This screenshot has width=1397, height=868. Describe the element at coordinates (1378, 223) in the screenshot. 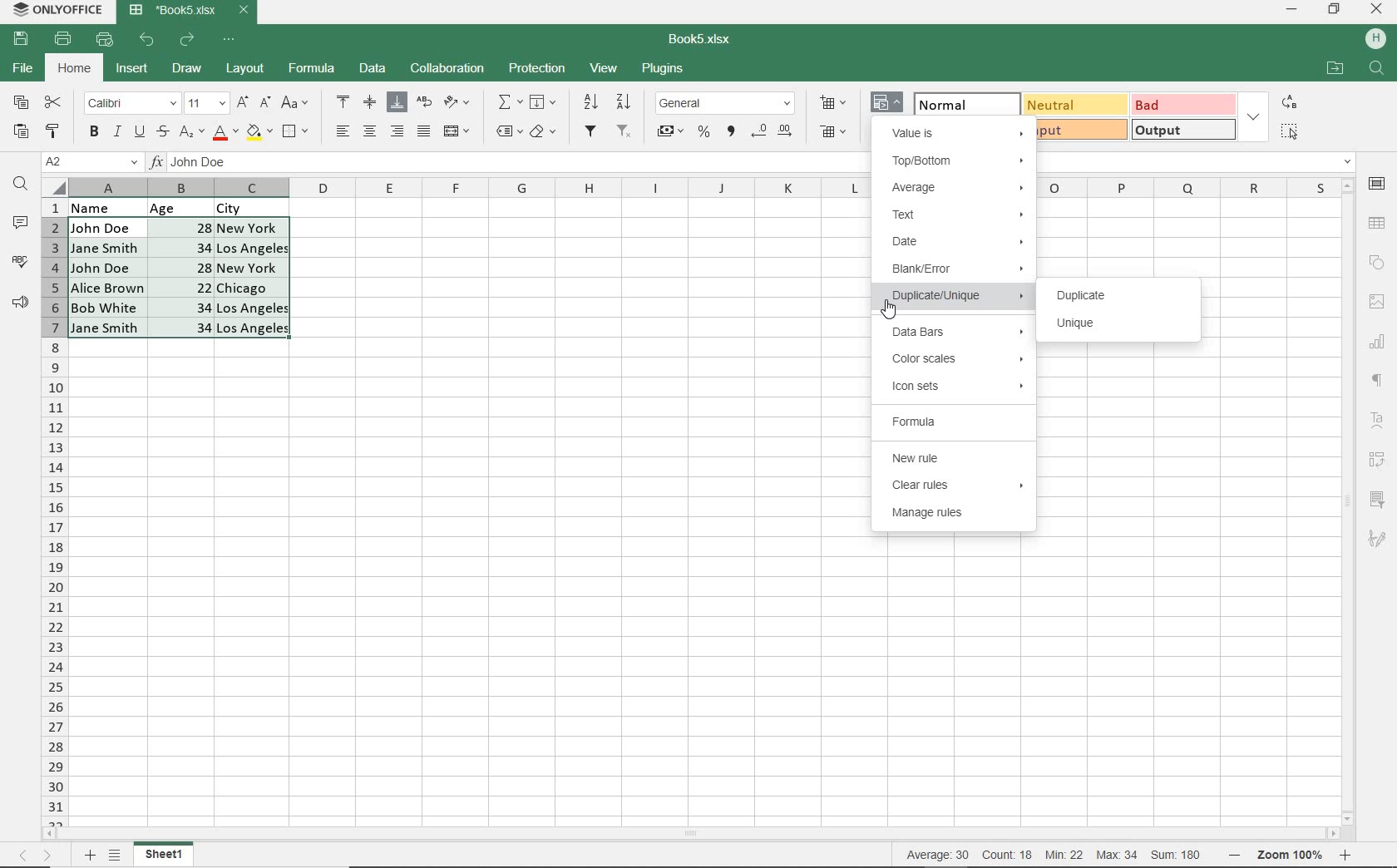

I see `TABLE` at that location.